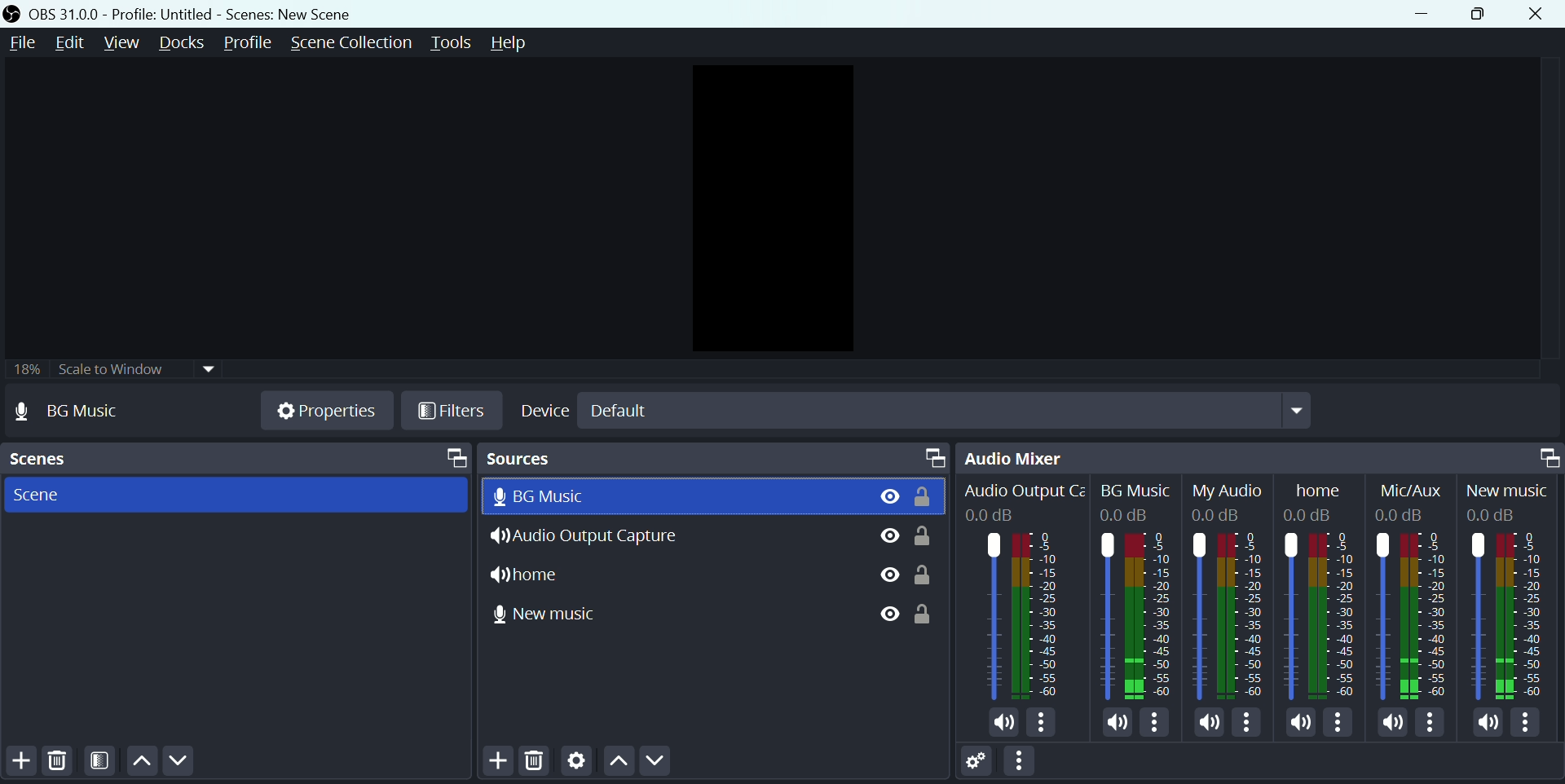 Image resolution: width=1565 pixels, height=784 pixels. I want to click on Edit, so click(73, 42).